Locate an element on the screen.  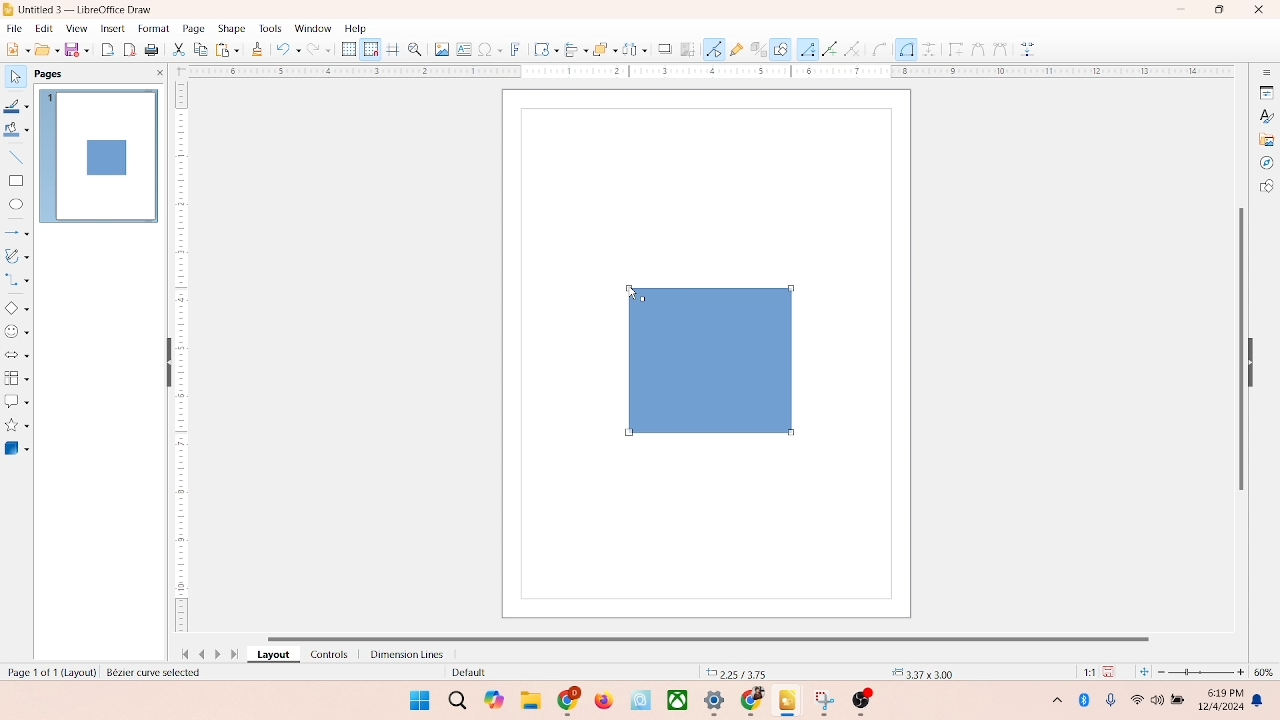
folders is located at coordinates (530, 698).